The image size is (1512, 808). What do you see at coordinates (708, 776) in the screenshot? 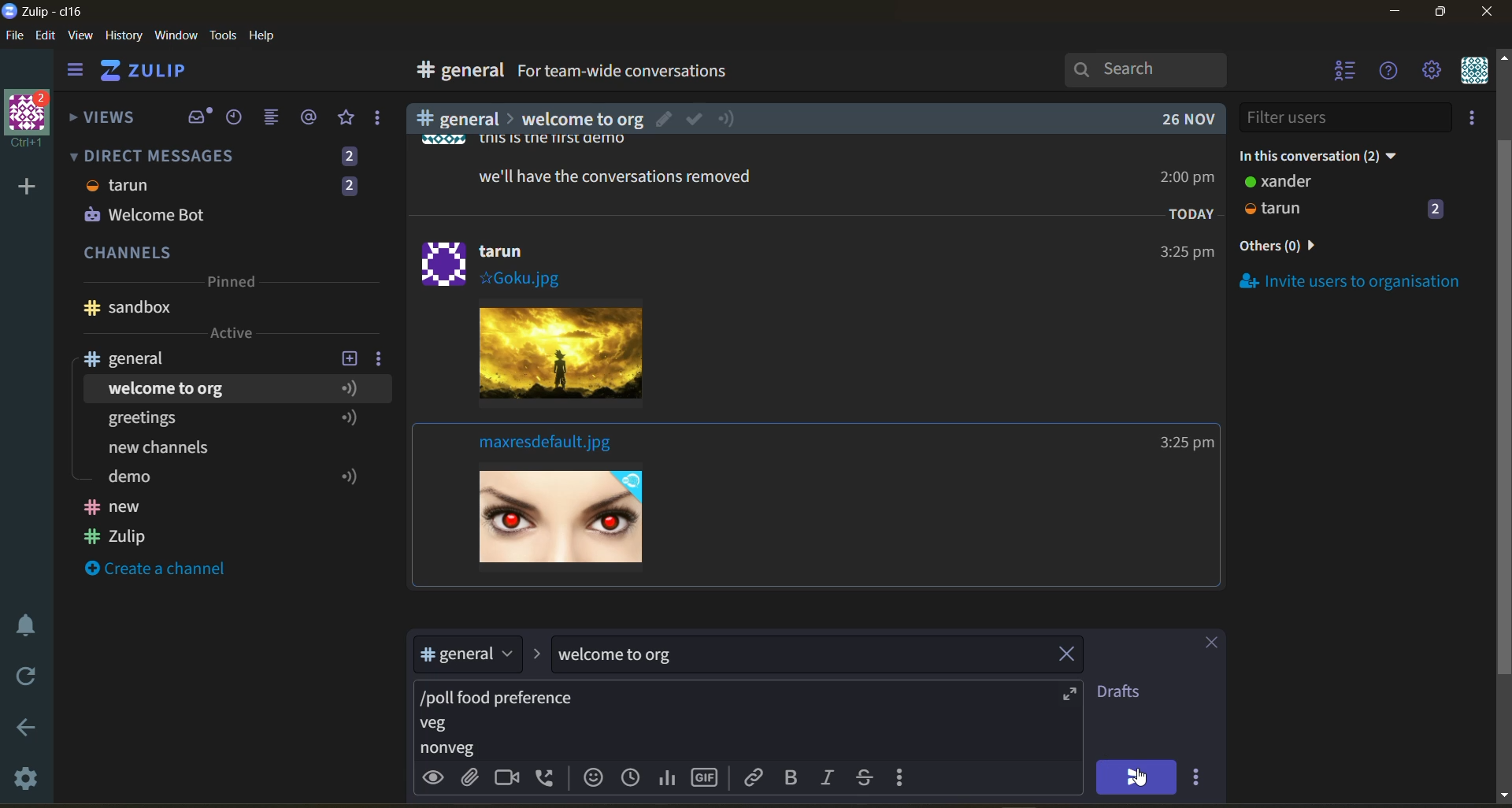
I see `add gif` at bounding box center [708, 776].